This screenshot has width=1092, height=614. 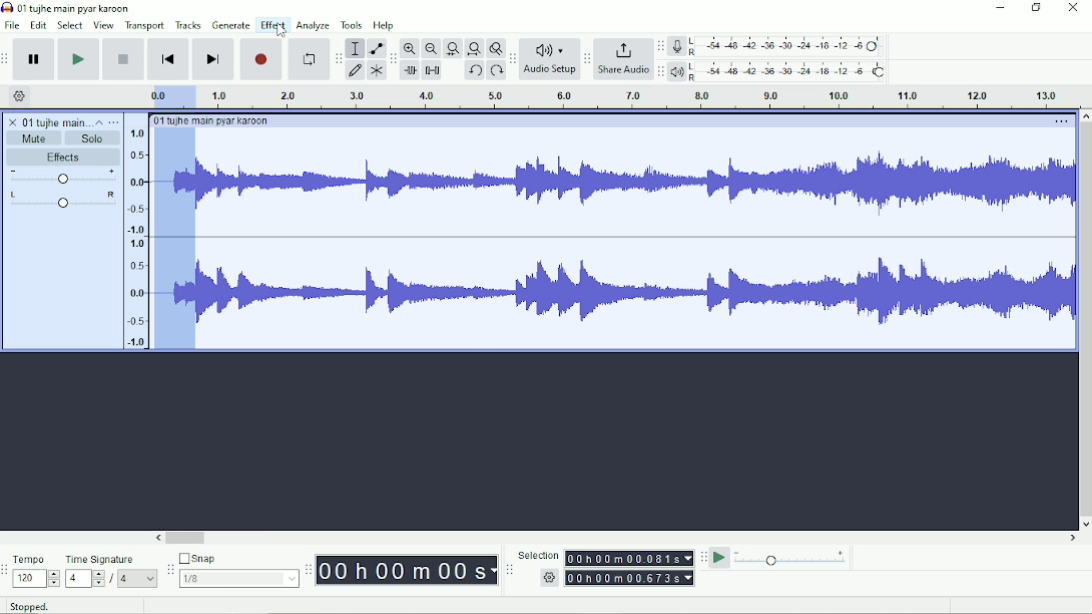 I want to click on Share Logo, so click(x=621, y=49).